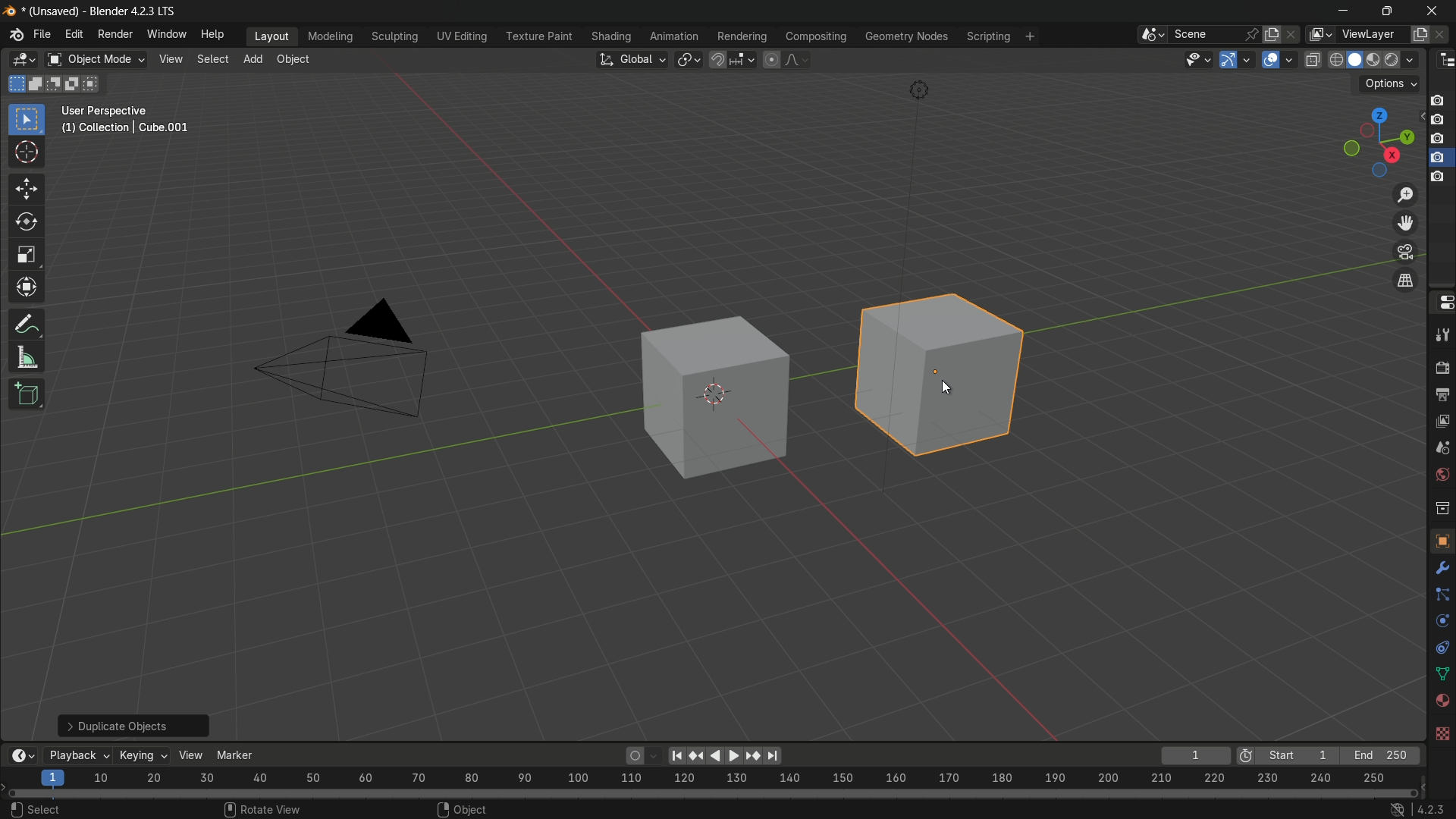 This screenshot has width=1456, height=819. I want to click on render, so click(1442, 368).